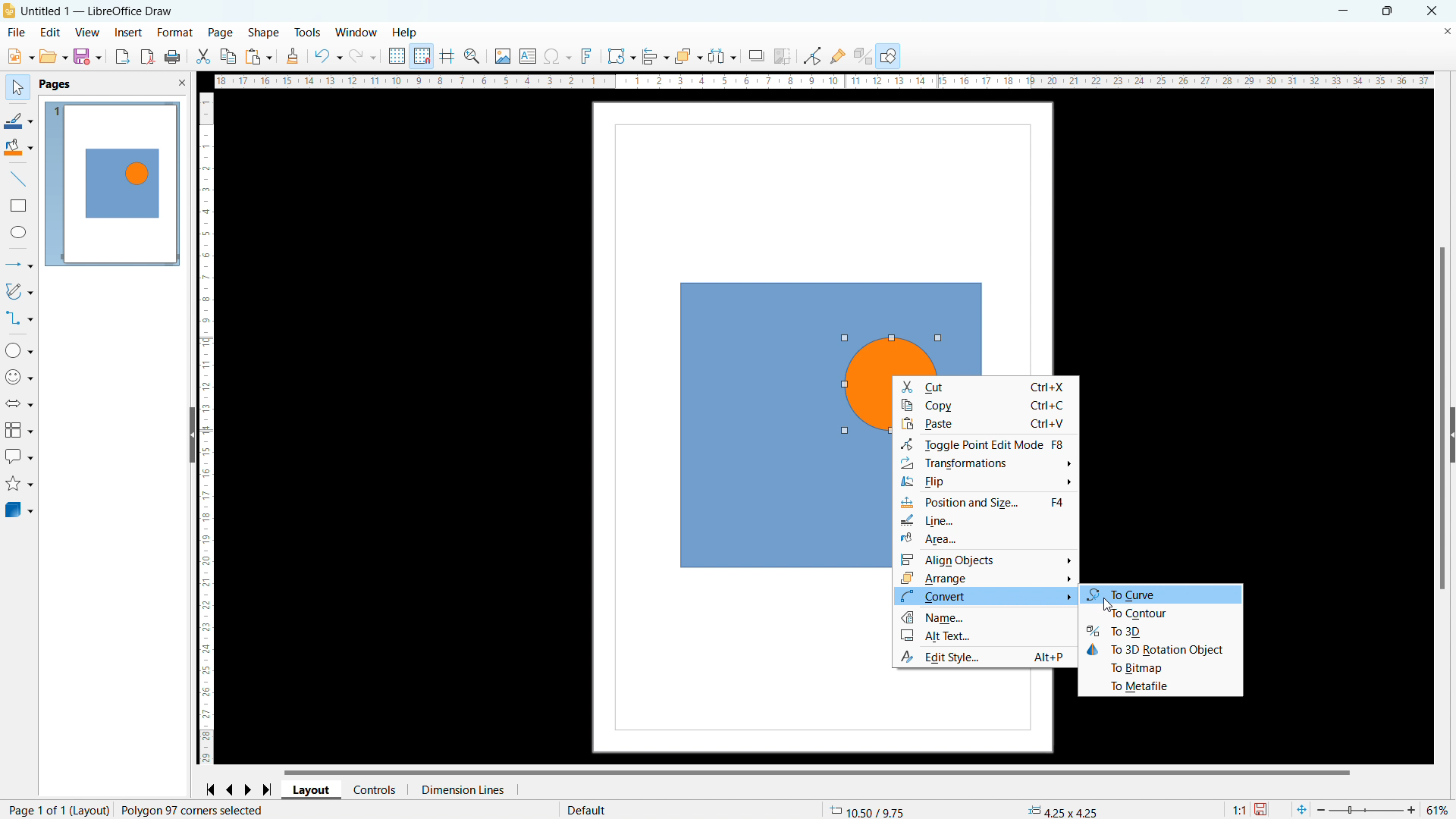 The width and height of the screenshot is (1456, 819). I want to click on helplines while moving, so click(447, 56).